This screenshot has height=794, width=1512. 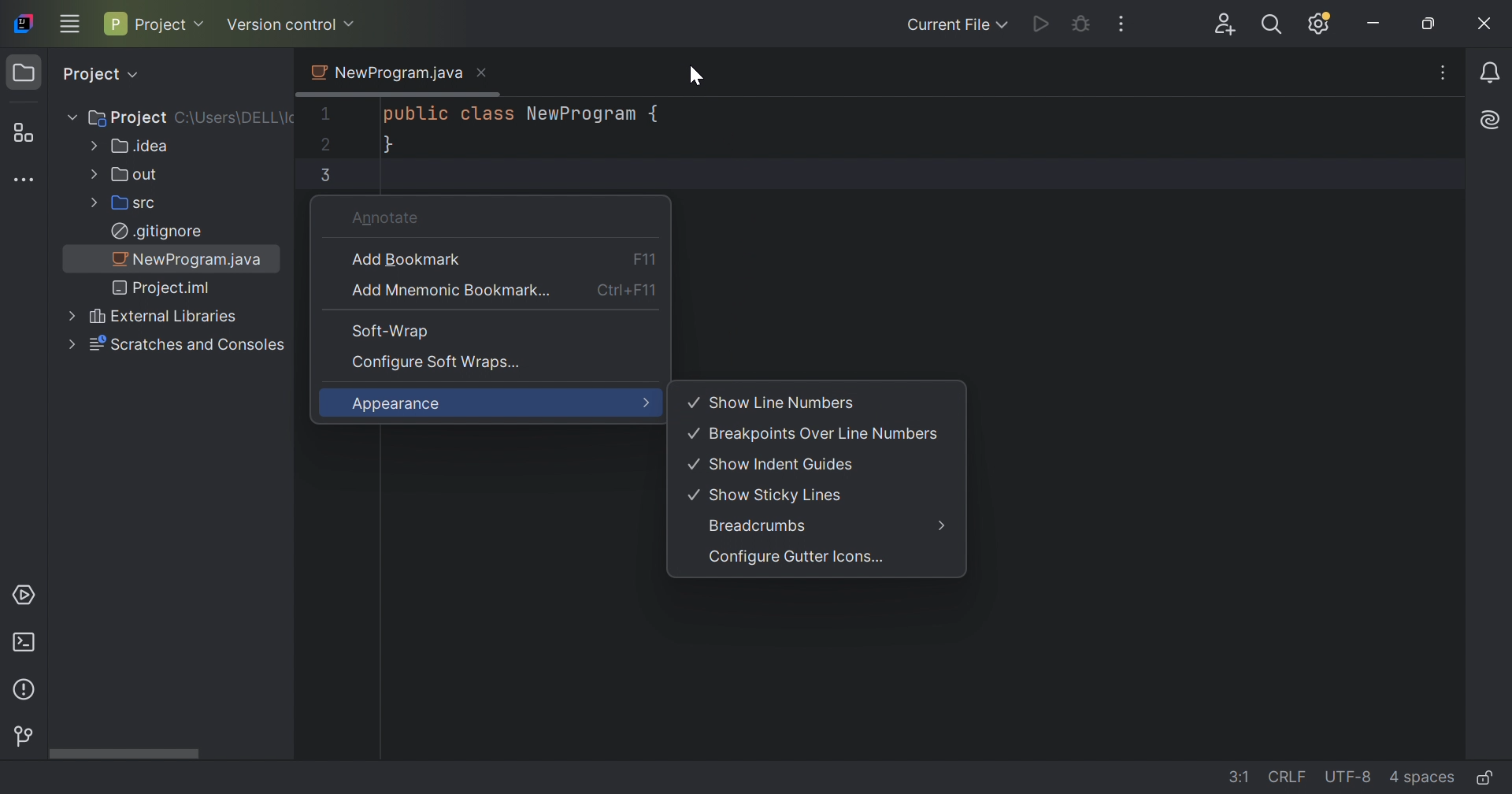 I want to click on .gitignore, so click(x=157, y=231).